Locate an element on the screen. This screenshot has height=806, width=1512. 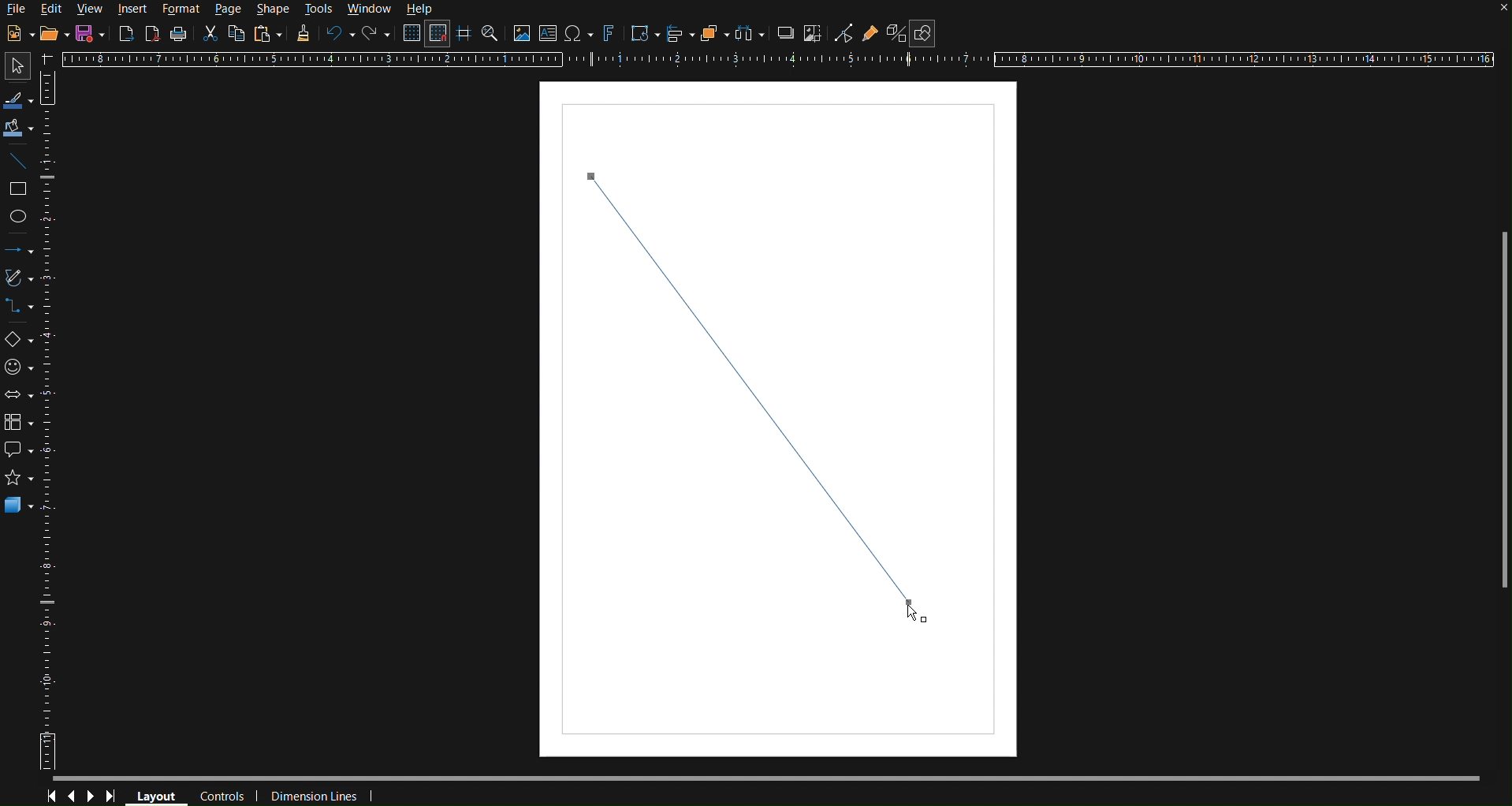
Last Page is located at coordinates (115, 796).